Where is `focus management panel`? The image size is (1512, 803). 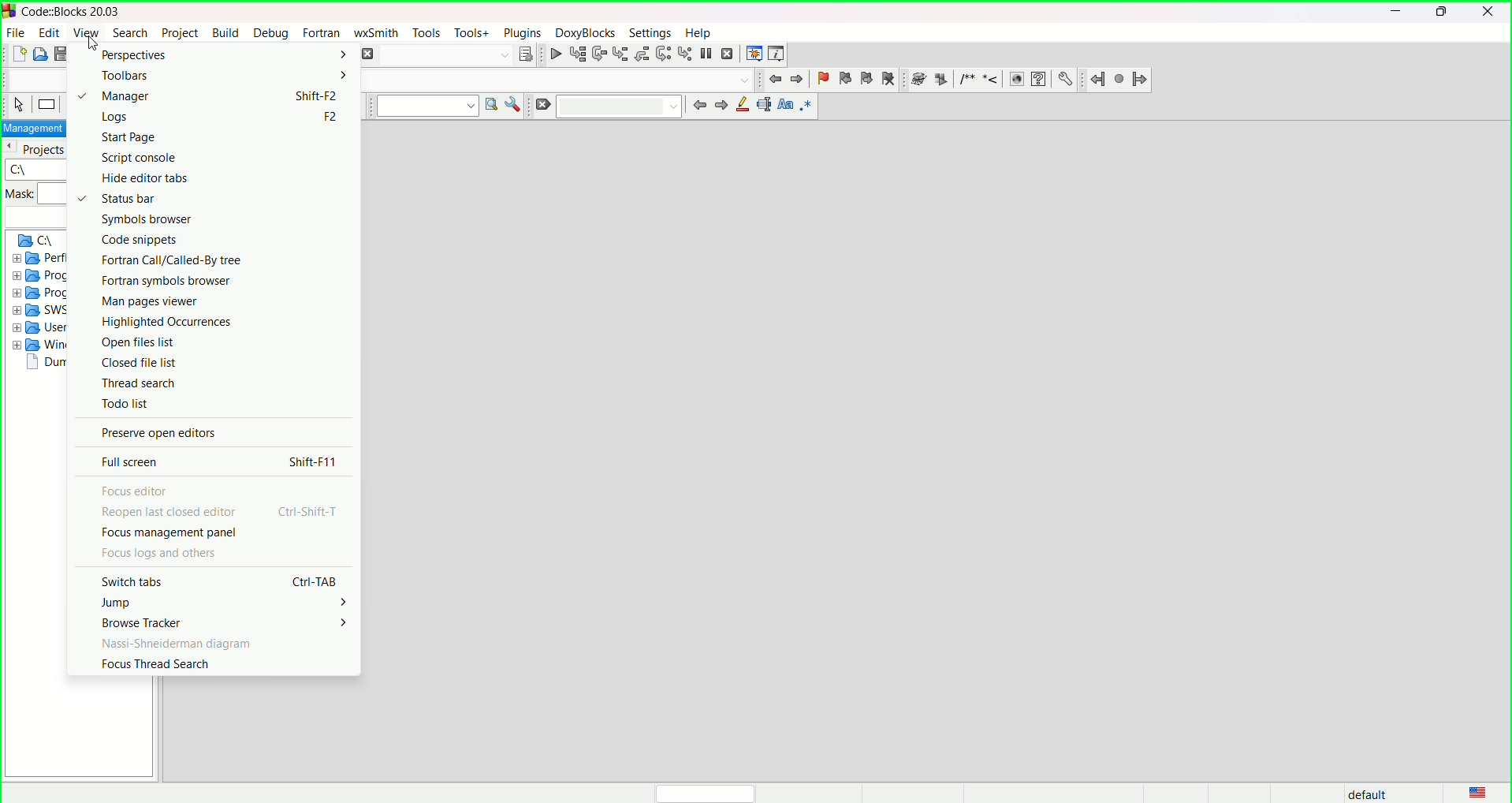 focus management panel is located at coordinates (170, 532).